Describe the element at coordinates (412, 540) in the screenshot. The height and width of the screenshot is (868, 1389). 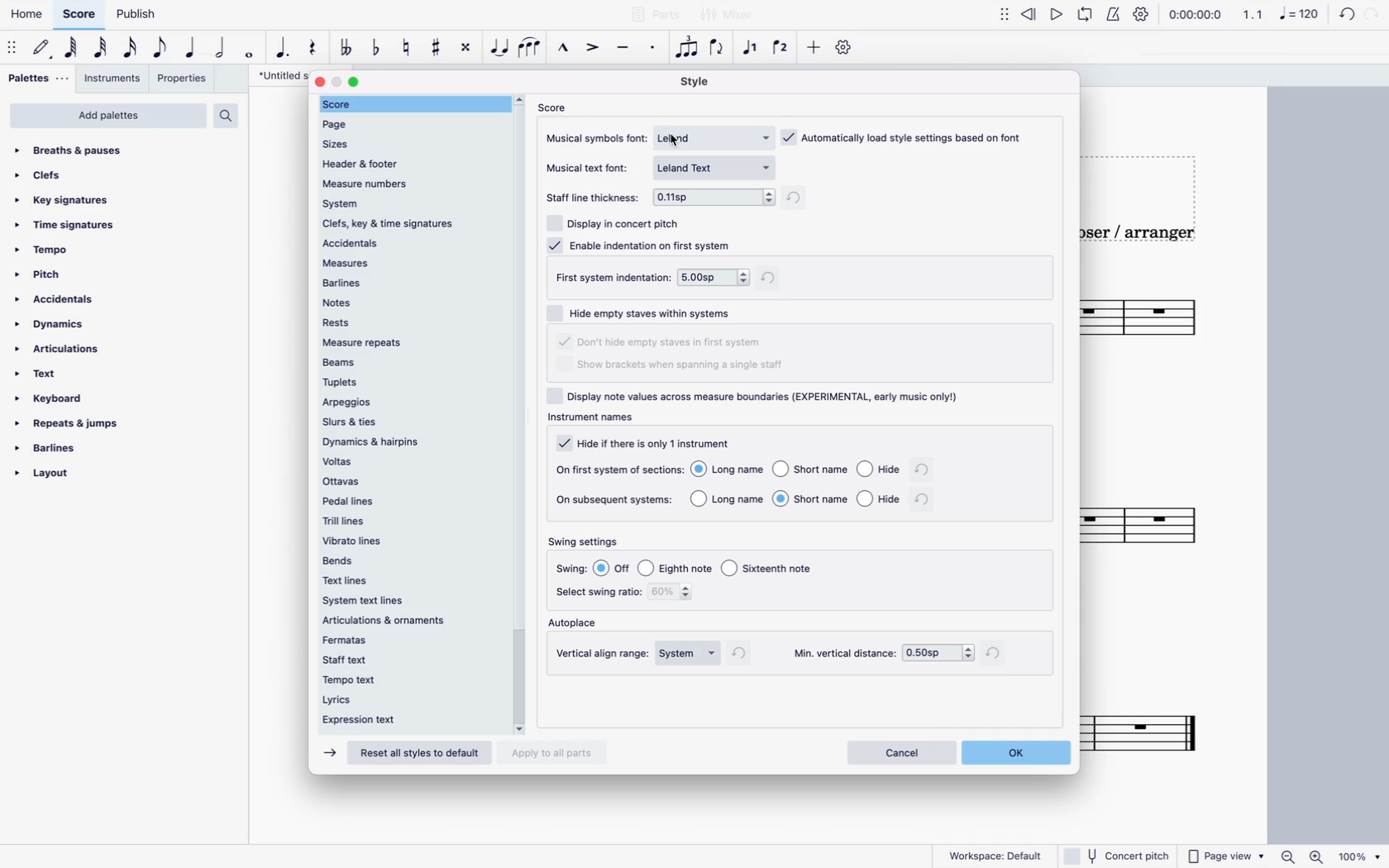
I see `vibrato lines` at that location.